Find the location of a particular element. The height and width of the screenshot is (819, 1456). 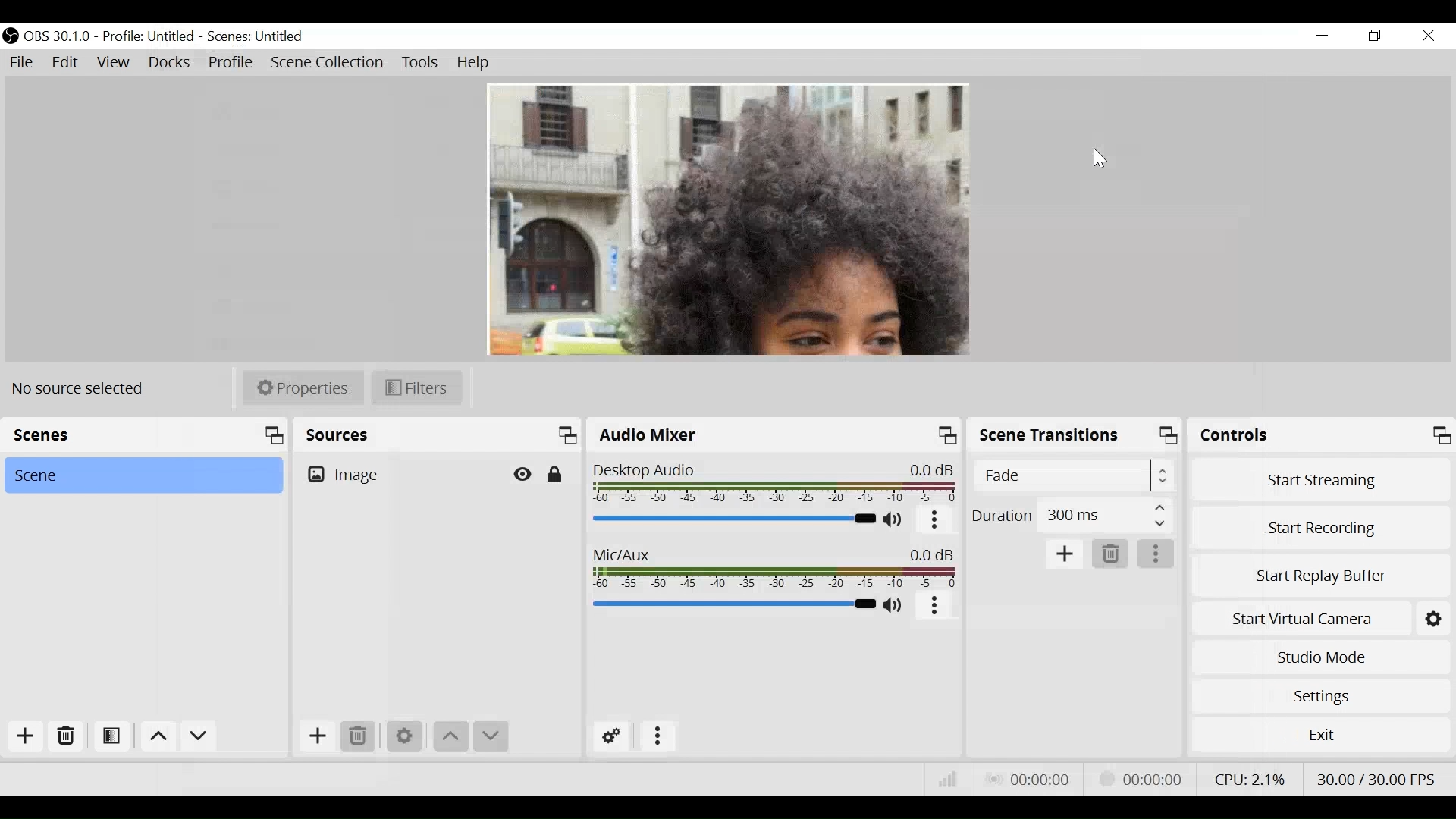

Cursor is located at coordinates (1106, 161).